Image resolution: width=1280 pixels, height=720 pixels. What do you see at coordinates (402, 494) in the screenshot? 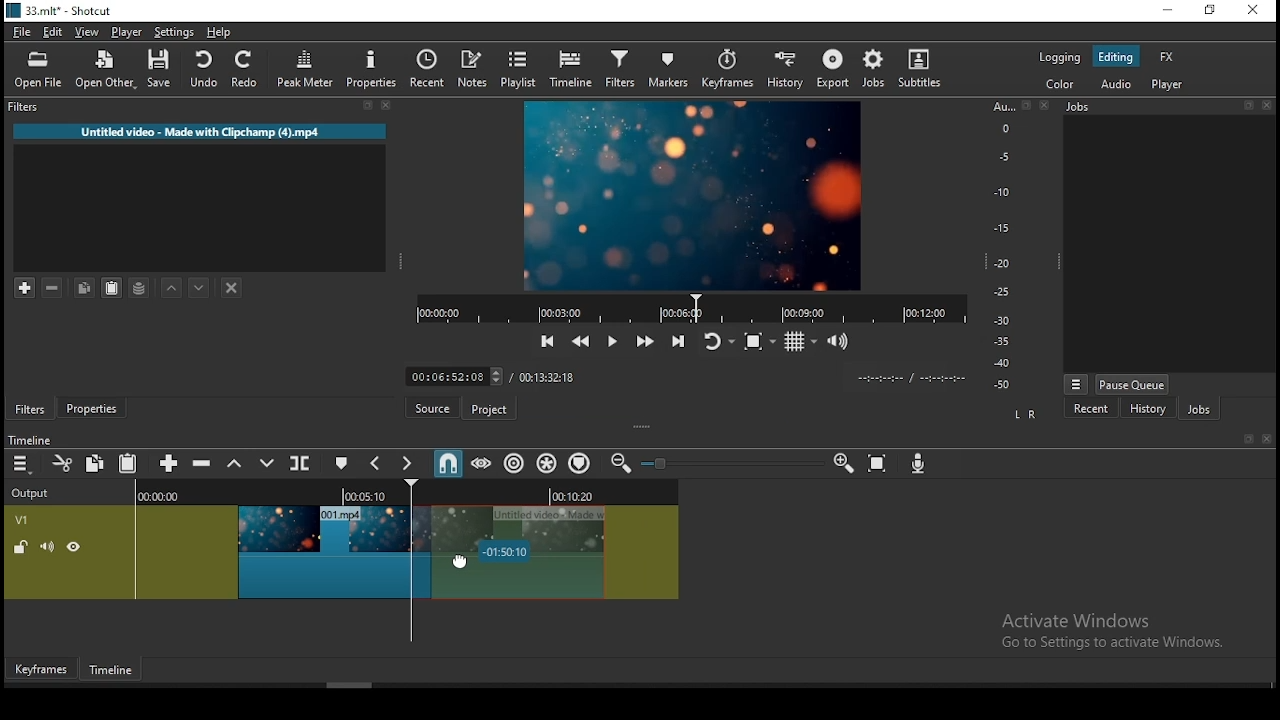
I see `track` at bounding box center [402, 494].